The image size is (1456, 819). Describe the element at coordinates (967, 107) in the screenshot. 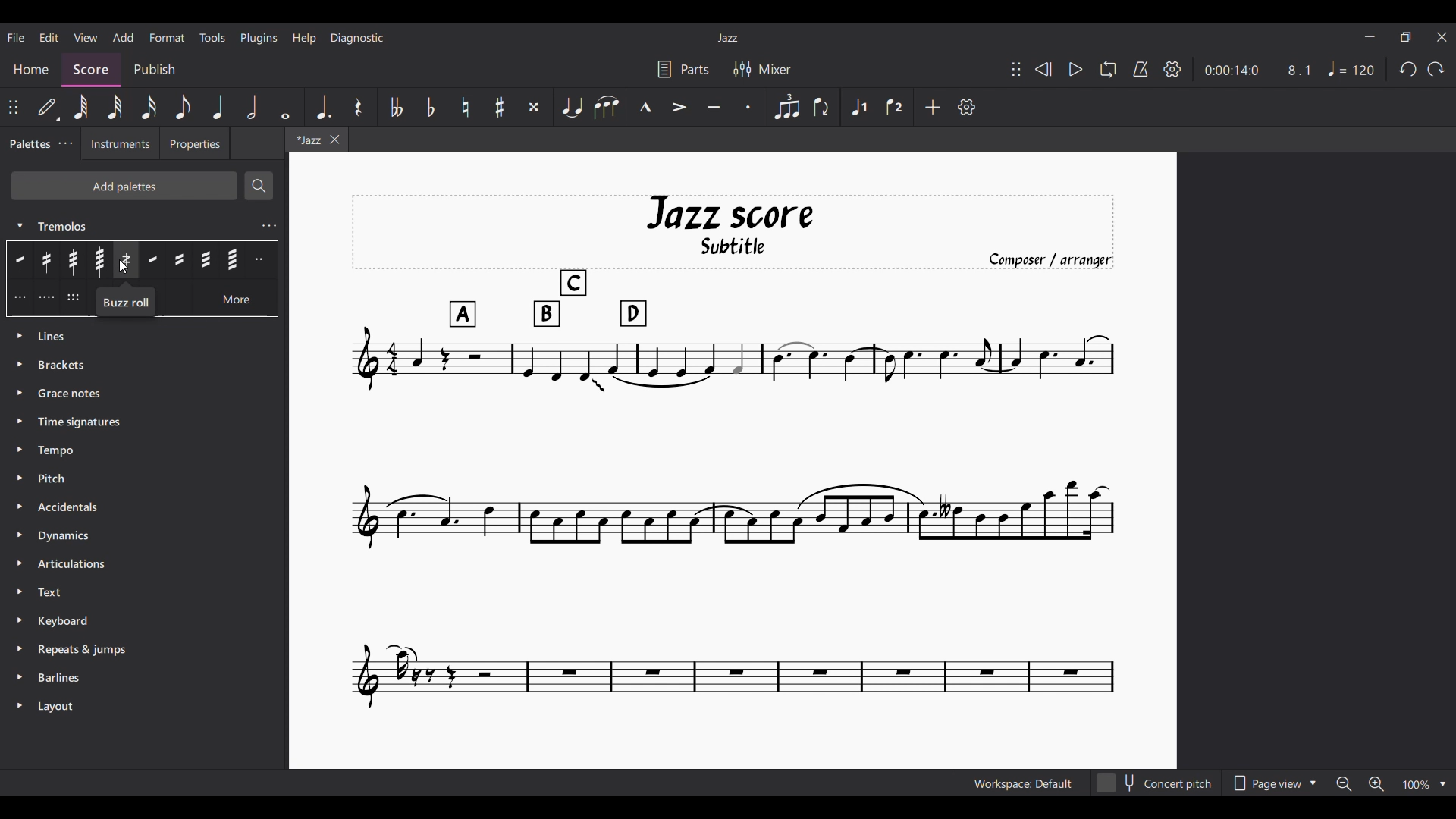

I see `Customize settings` at that location.